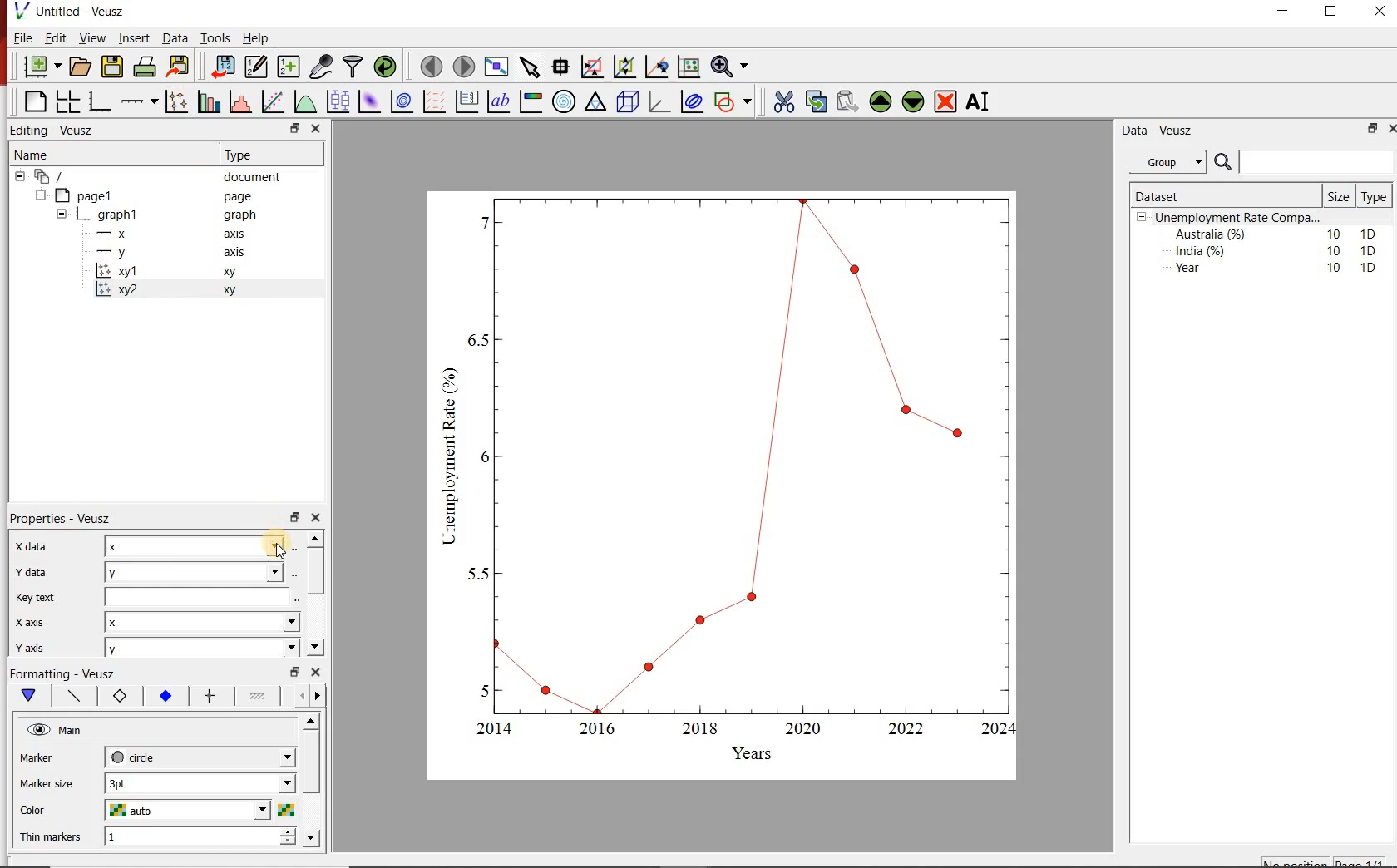 The width and height of the screenshot is (1397, 868). What do you see at coordinates (72, 731) in the screenshot?
I see `Main` at bounding box center [72, 731].